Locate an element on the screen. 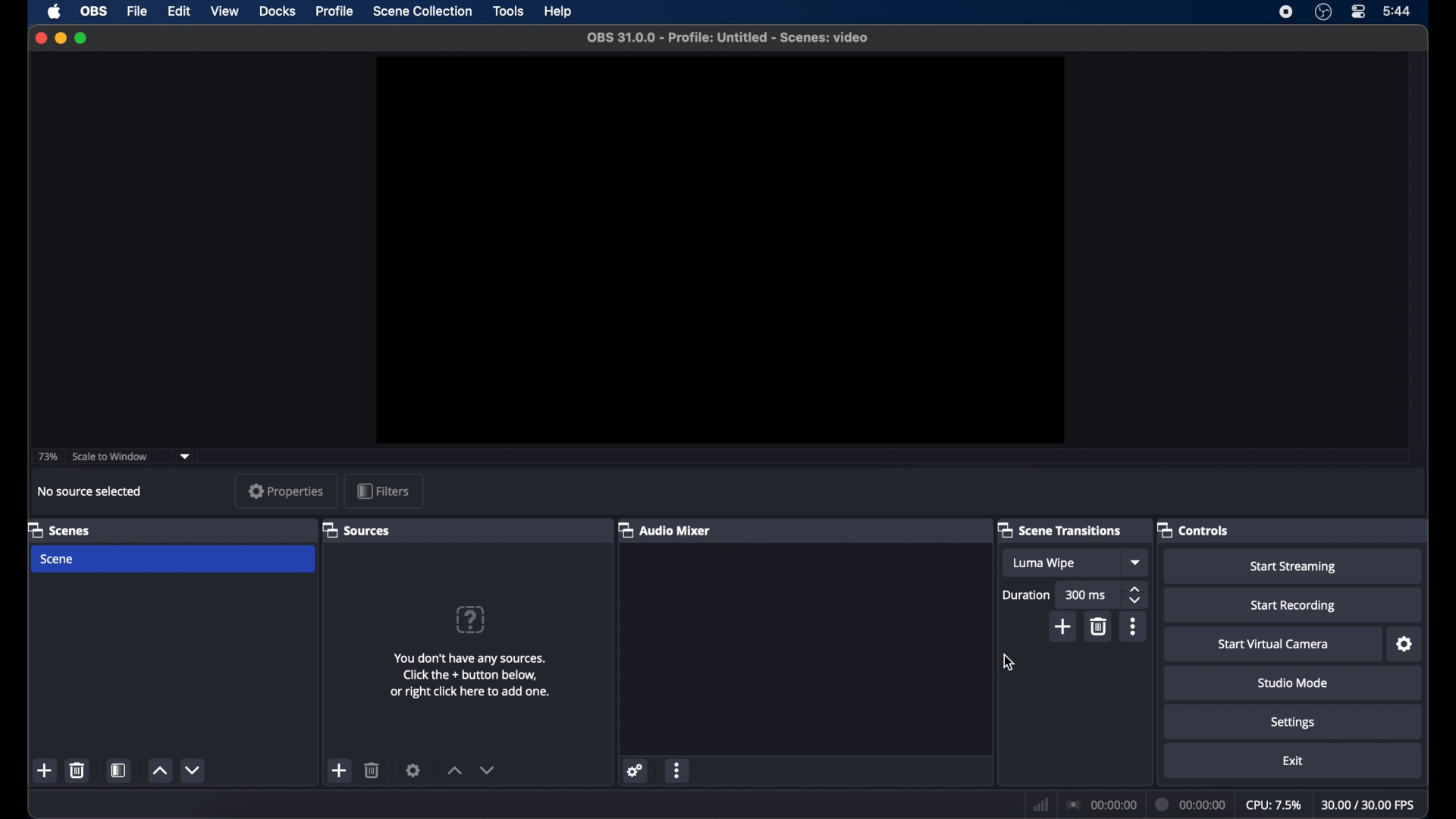 The image size is (1456, 819). settings is located at coordinates (413, 770).